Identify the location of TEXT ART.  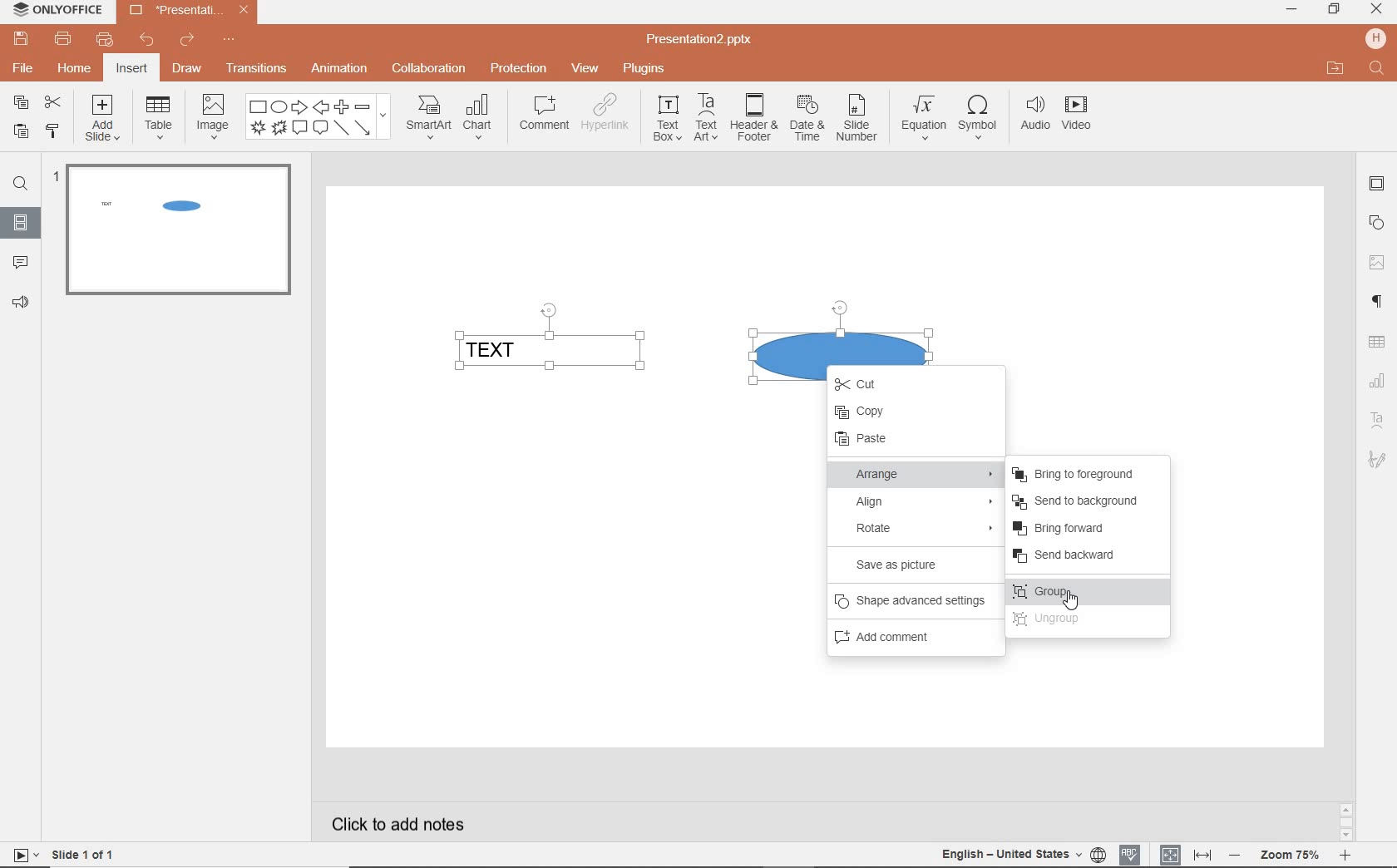
(1377, 422).